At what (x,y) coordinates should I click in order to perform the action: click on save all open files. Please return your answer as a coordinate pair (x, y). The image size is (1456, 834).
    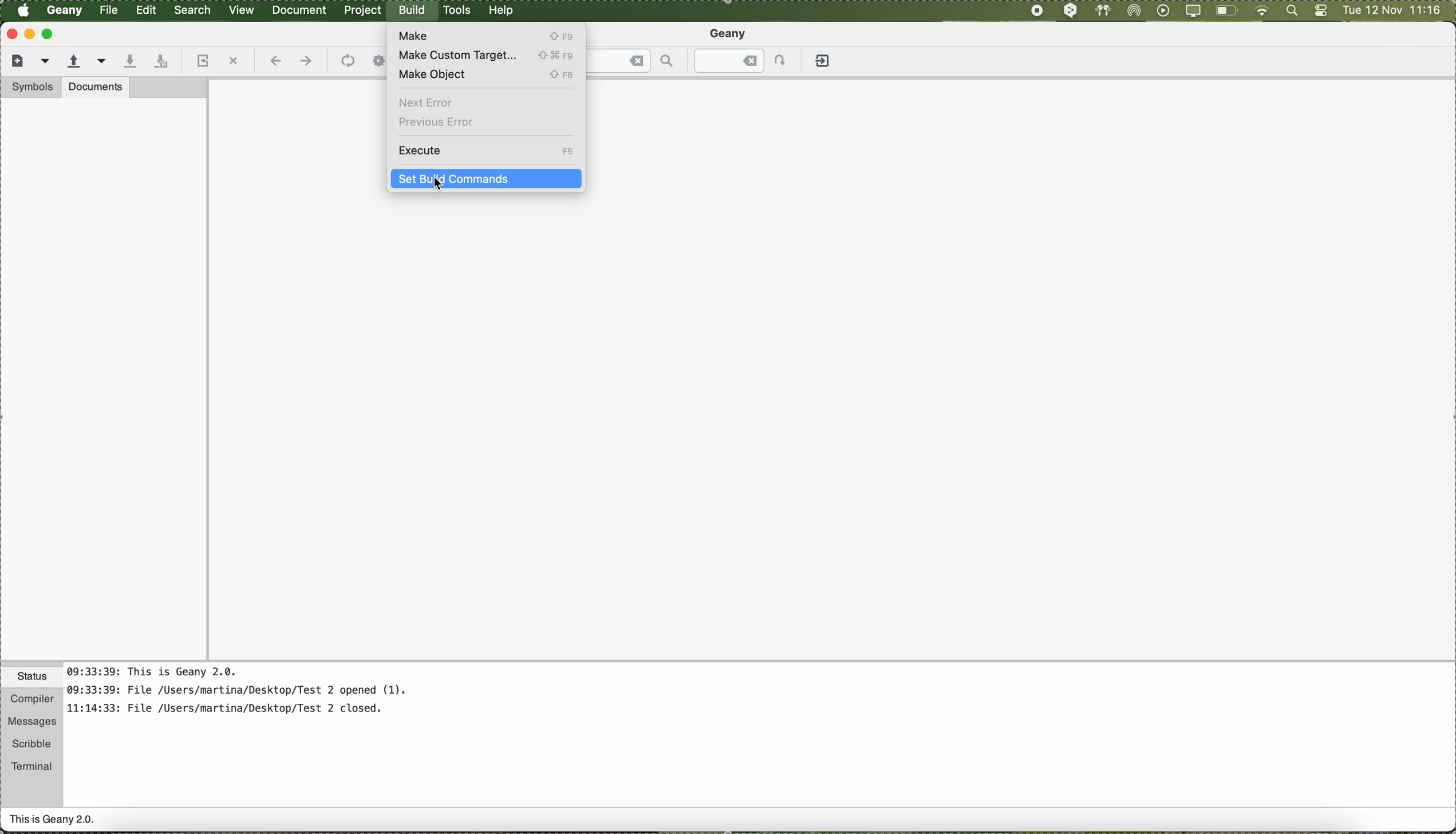
    Looking at the image, I should click on (159, 62).